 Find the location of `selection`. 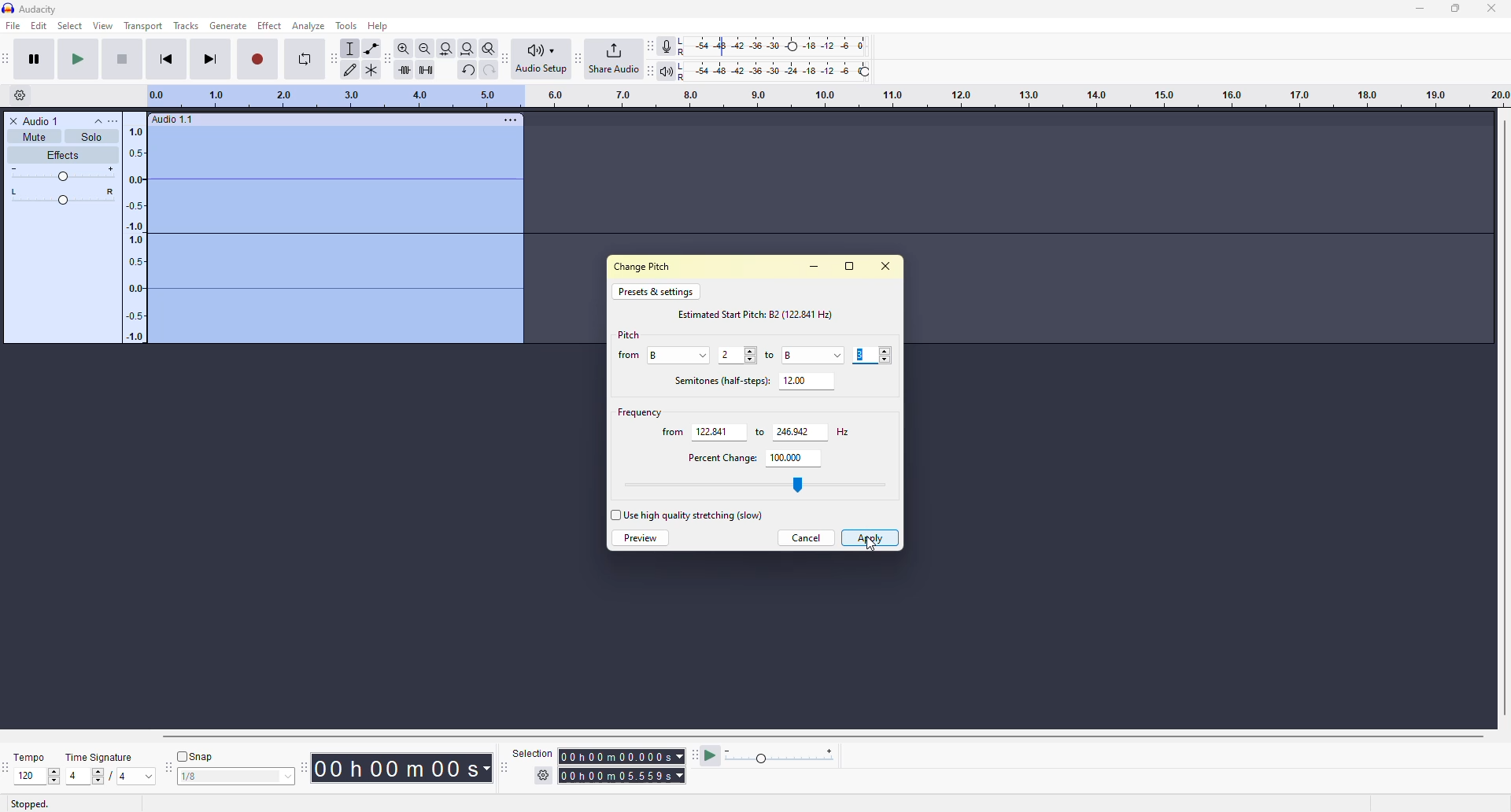

selection is located at coordinates (530, 752).